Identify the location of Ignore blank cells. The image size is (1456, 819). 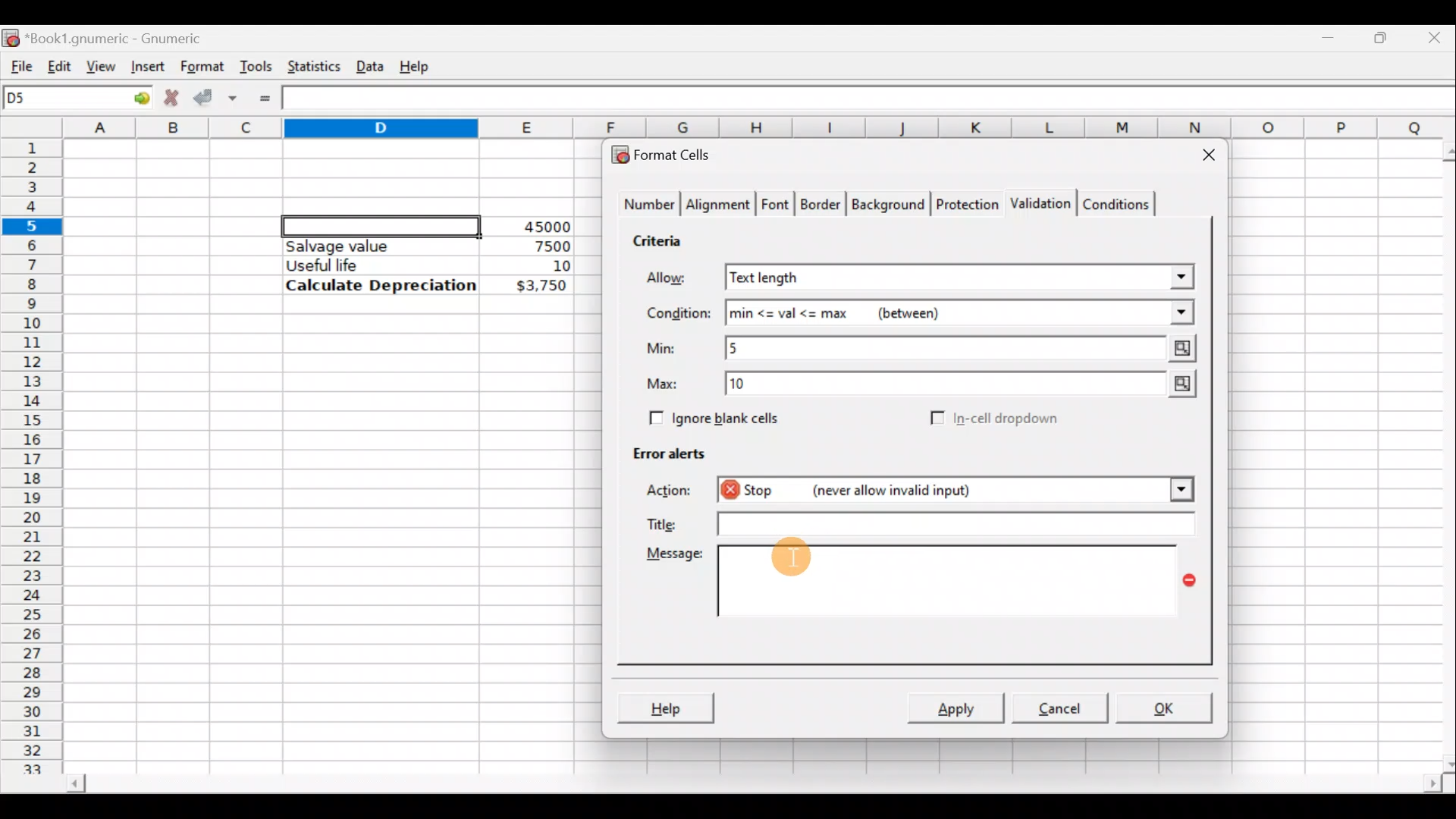
(711, 416).